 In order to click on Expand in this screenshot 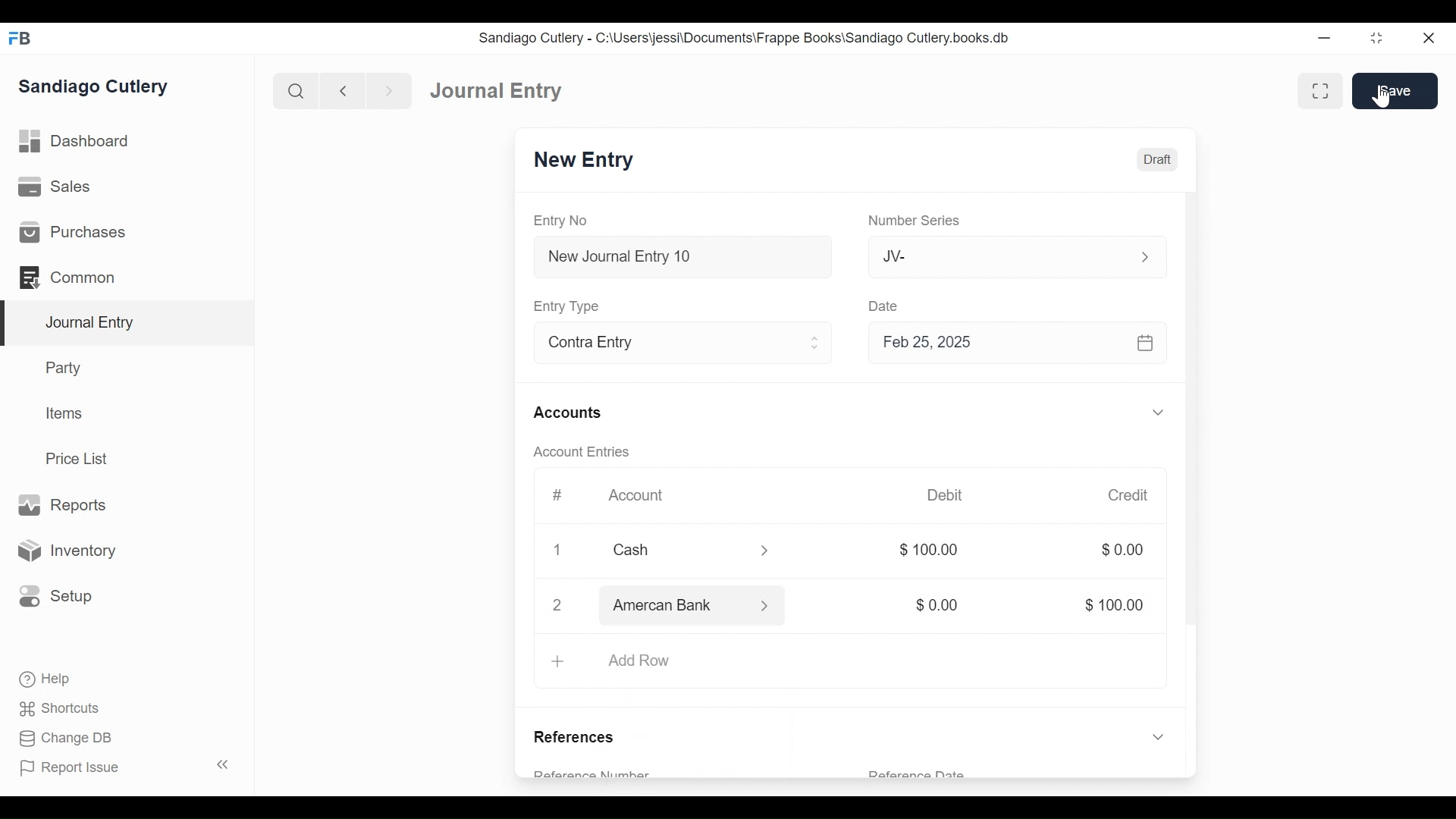, I will do `click(774, 605)`.